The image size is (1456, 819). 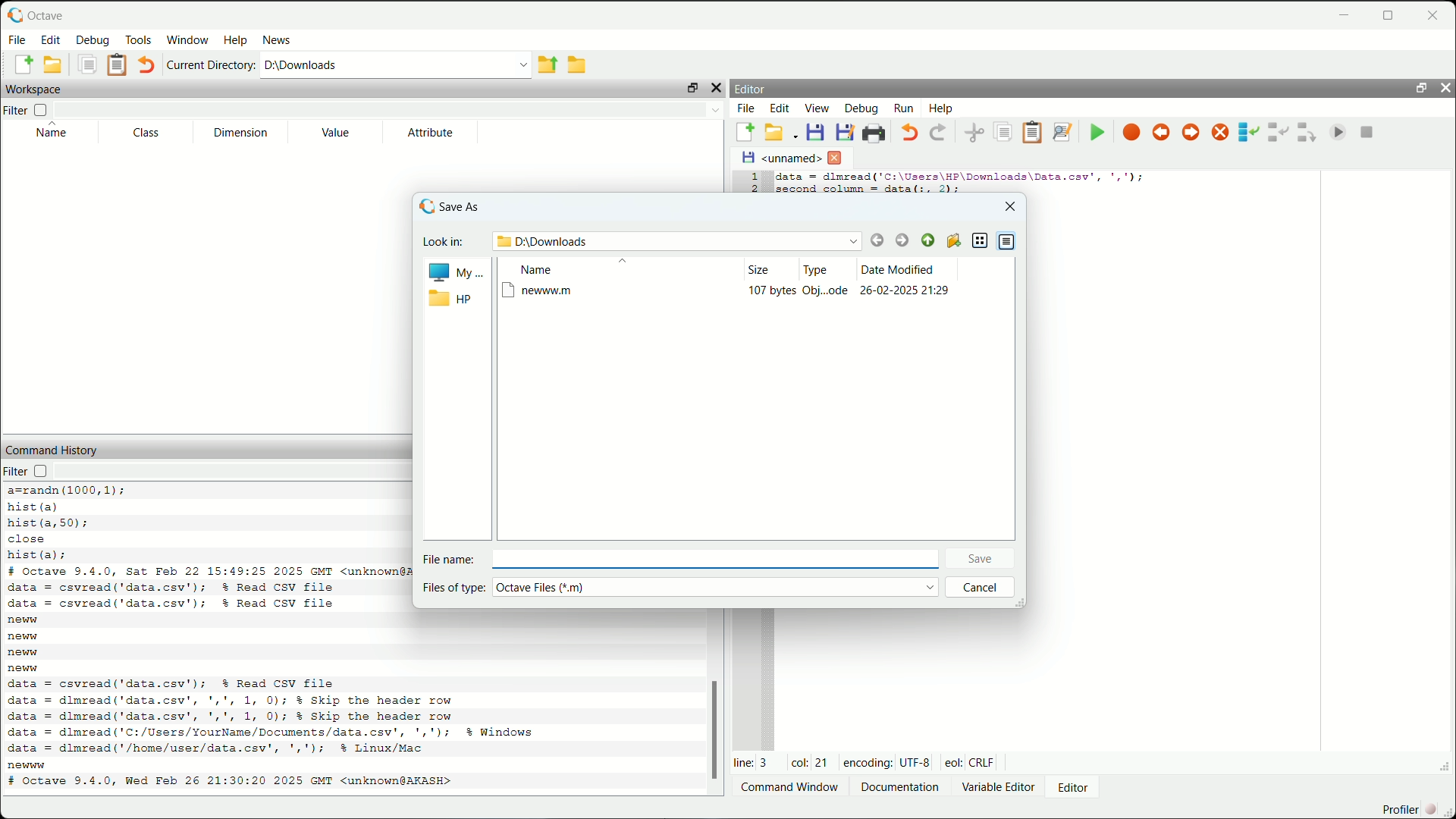 What do you see at coordinates (760, 269) in the screenshot?
I see `size` at bounding box center [760, 269].